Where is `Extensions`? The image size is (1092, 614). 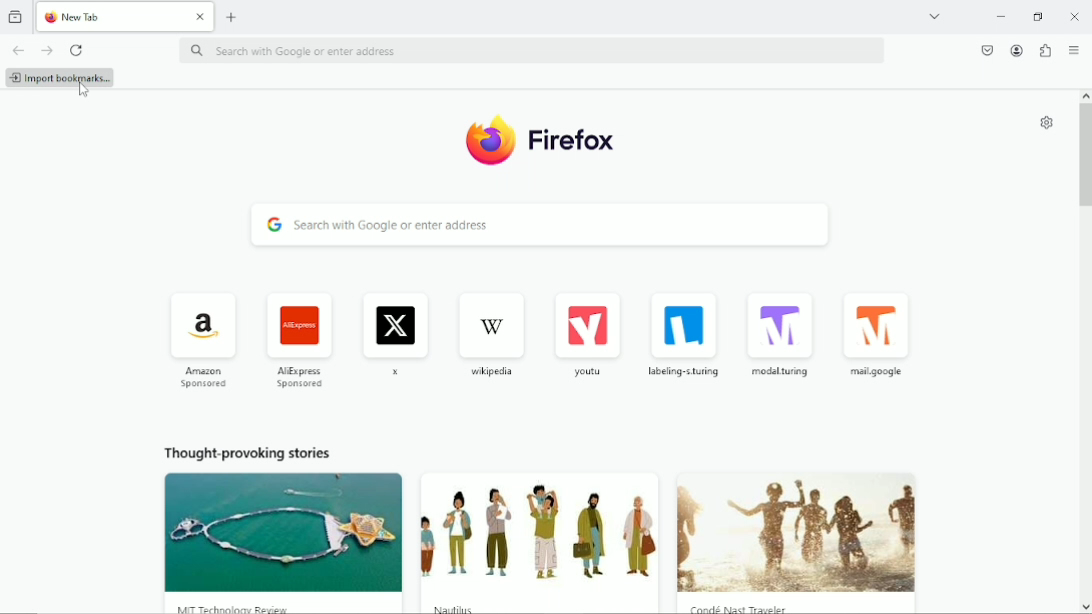 Extensions is located at coordinates (1044, 50).